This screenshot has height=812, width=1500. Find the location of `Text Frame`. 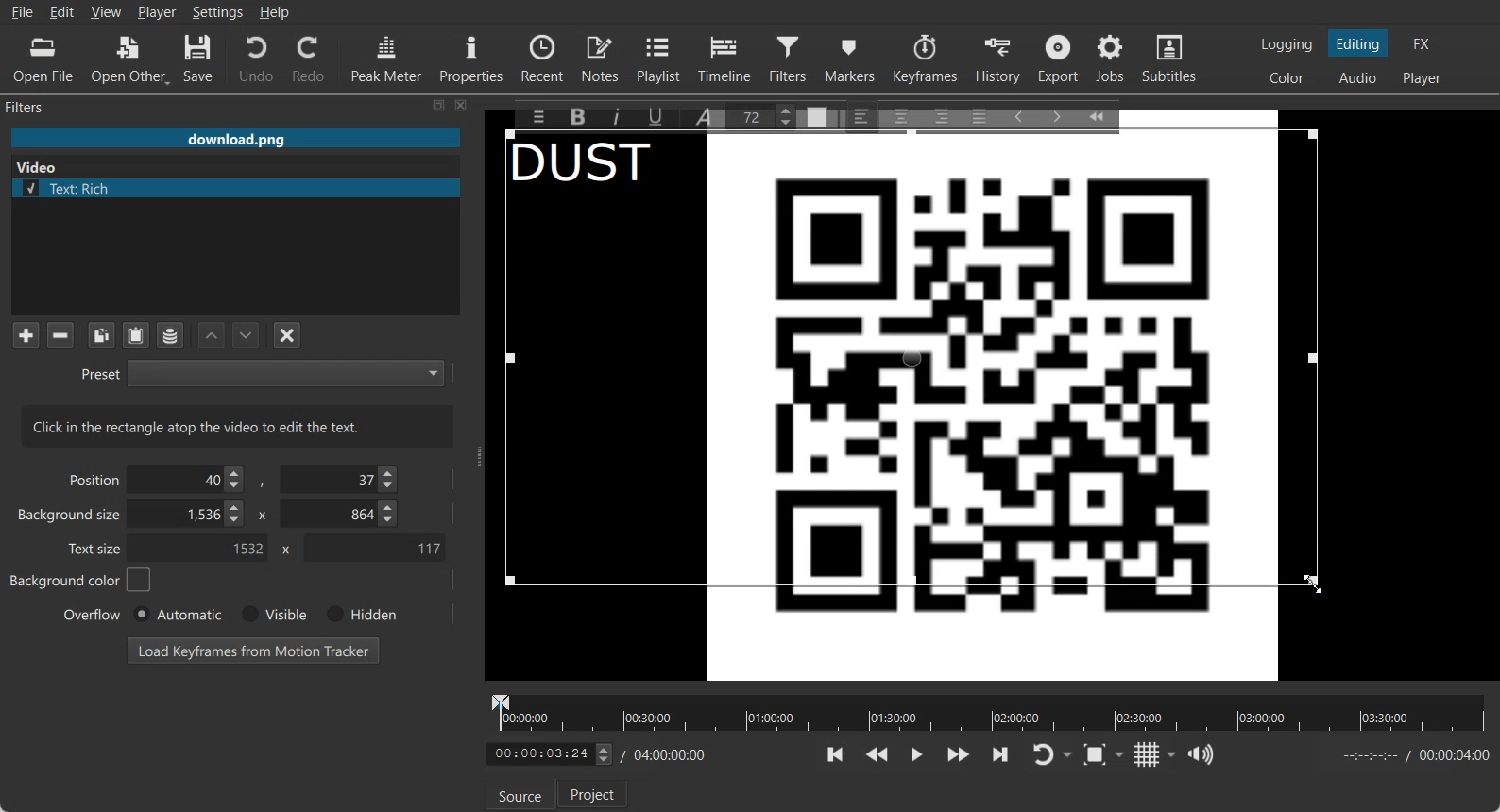

Text Frame is located at coordinates (918, 398).